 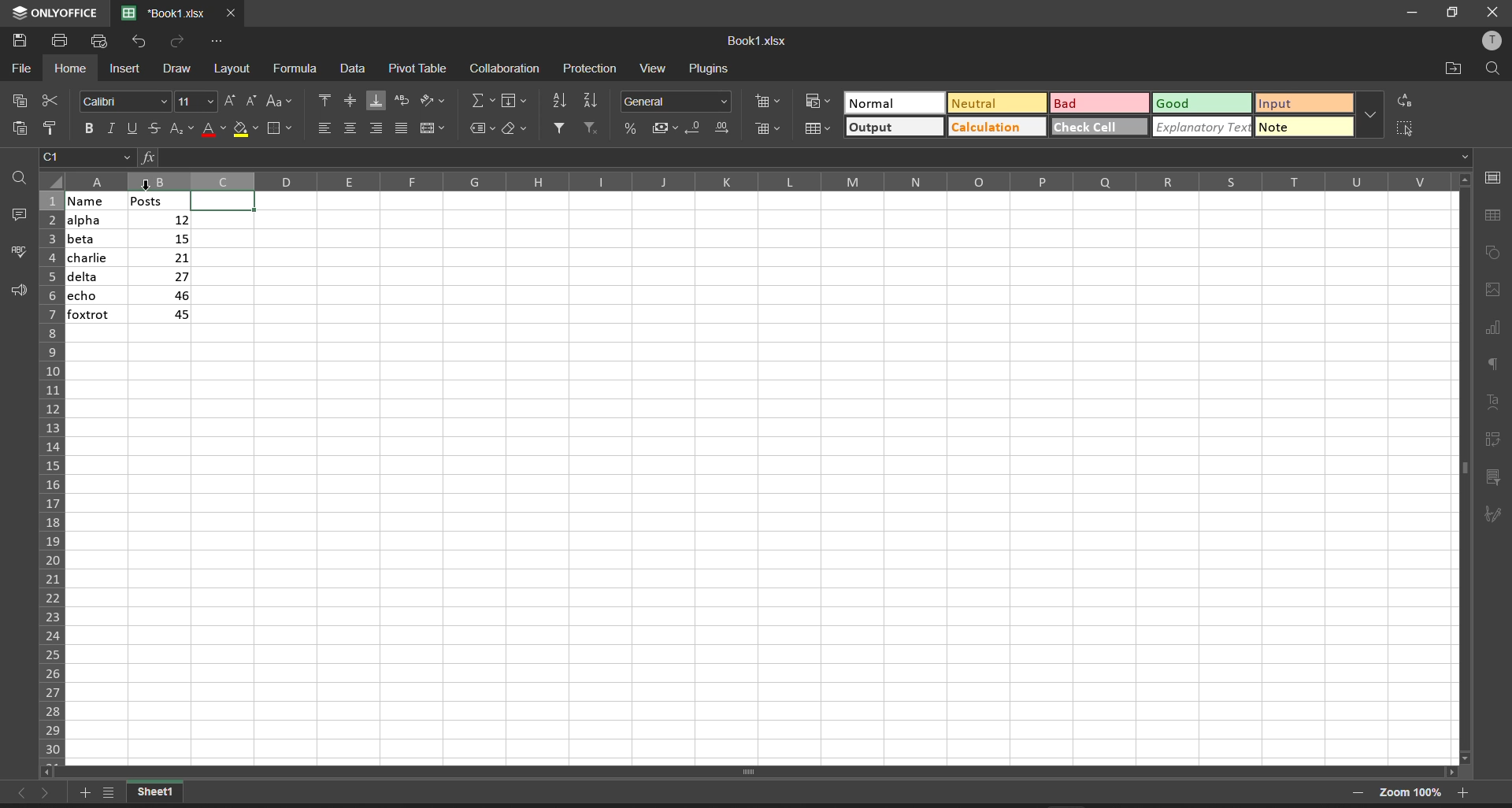 I want to click on move to the sheet right, so click(x=46, y=791).